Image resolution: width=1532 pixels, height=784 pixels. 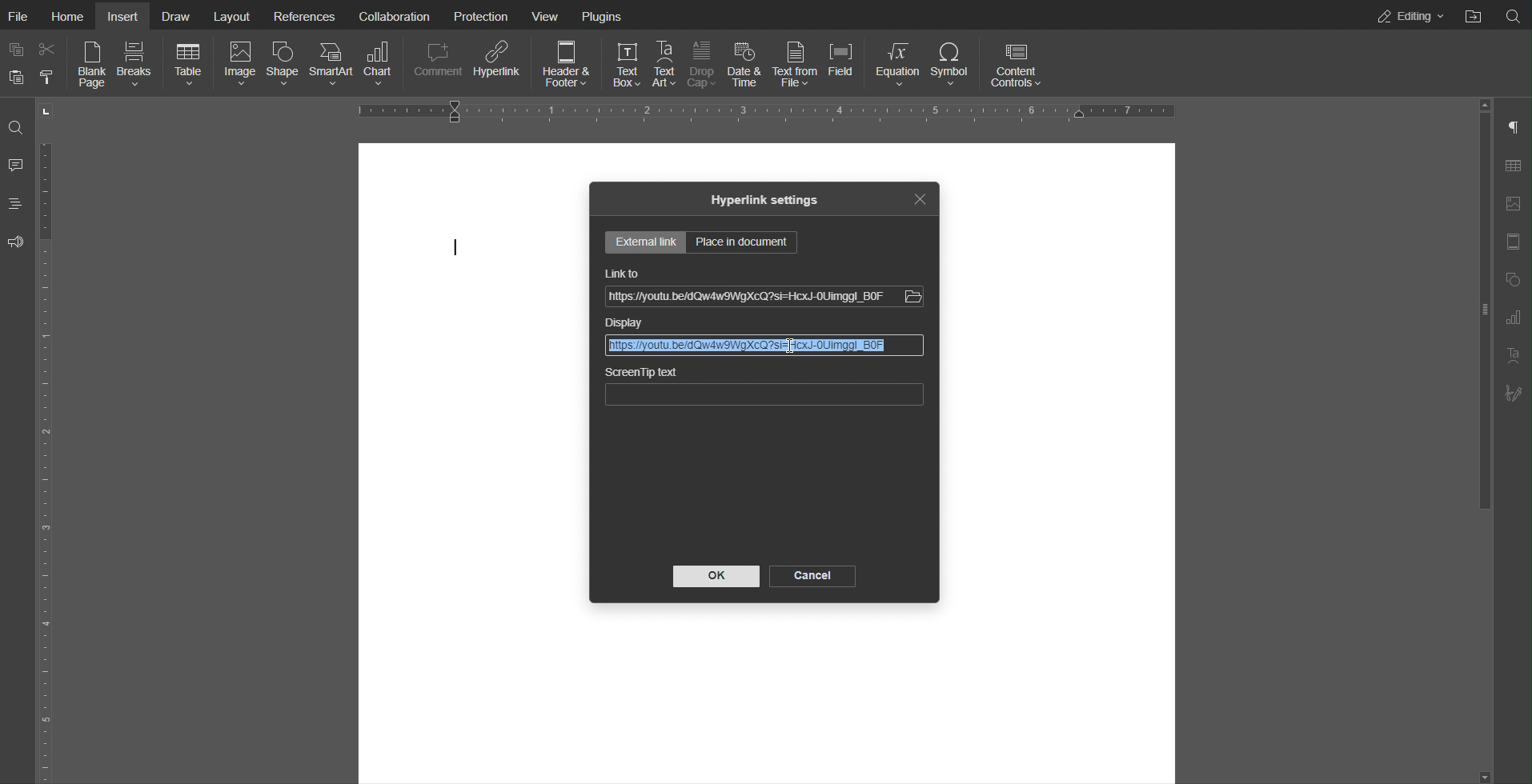 I want to click on Comment, so click(x=15, y=165).